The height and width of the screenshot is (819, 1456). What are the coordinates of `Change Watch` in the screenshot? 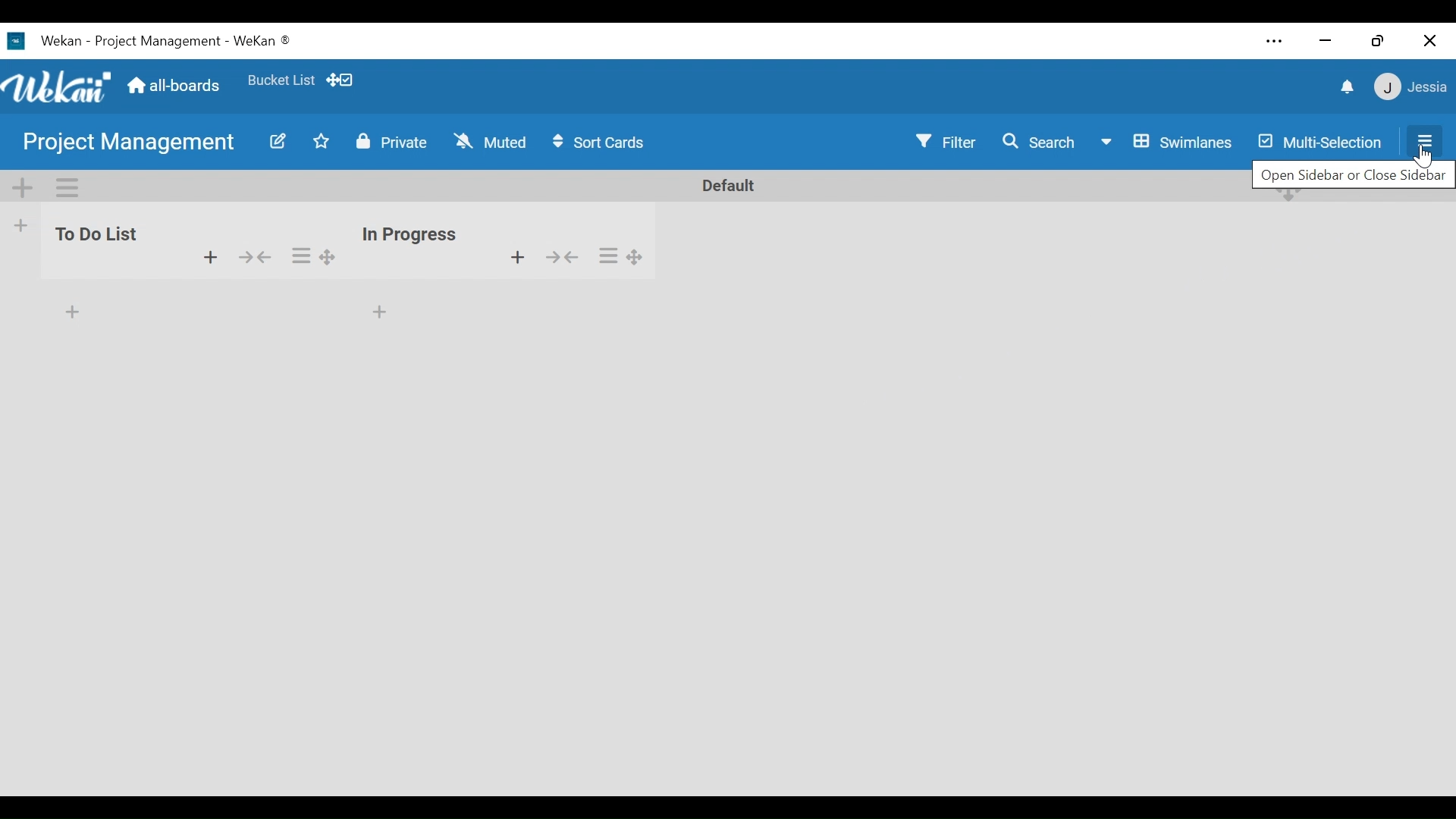 It's located at (493, 141).